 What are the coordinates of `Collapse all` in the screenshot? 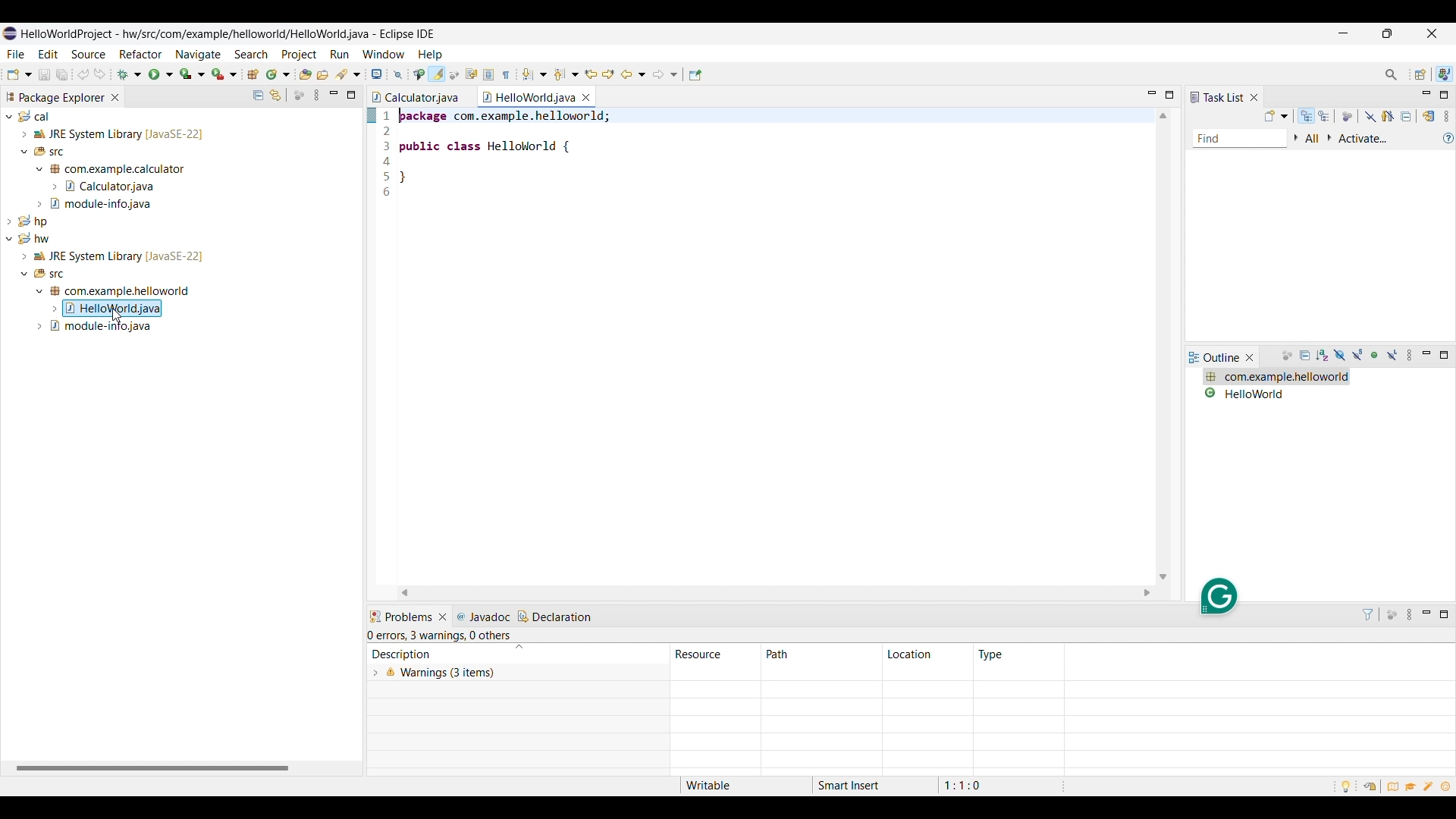 It's located at (259, 95).